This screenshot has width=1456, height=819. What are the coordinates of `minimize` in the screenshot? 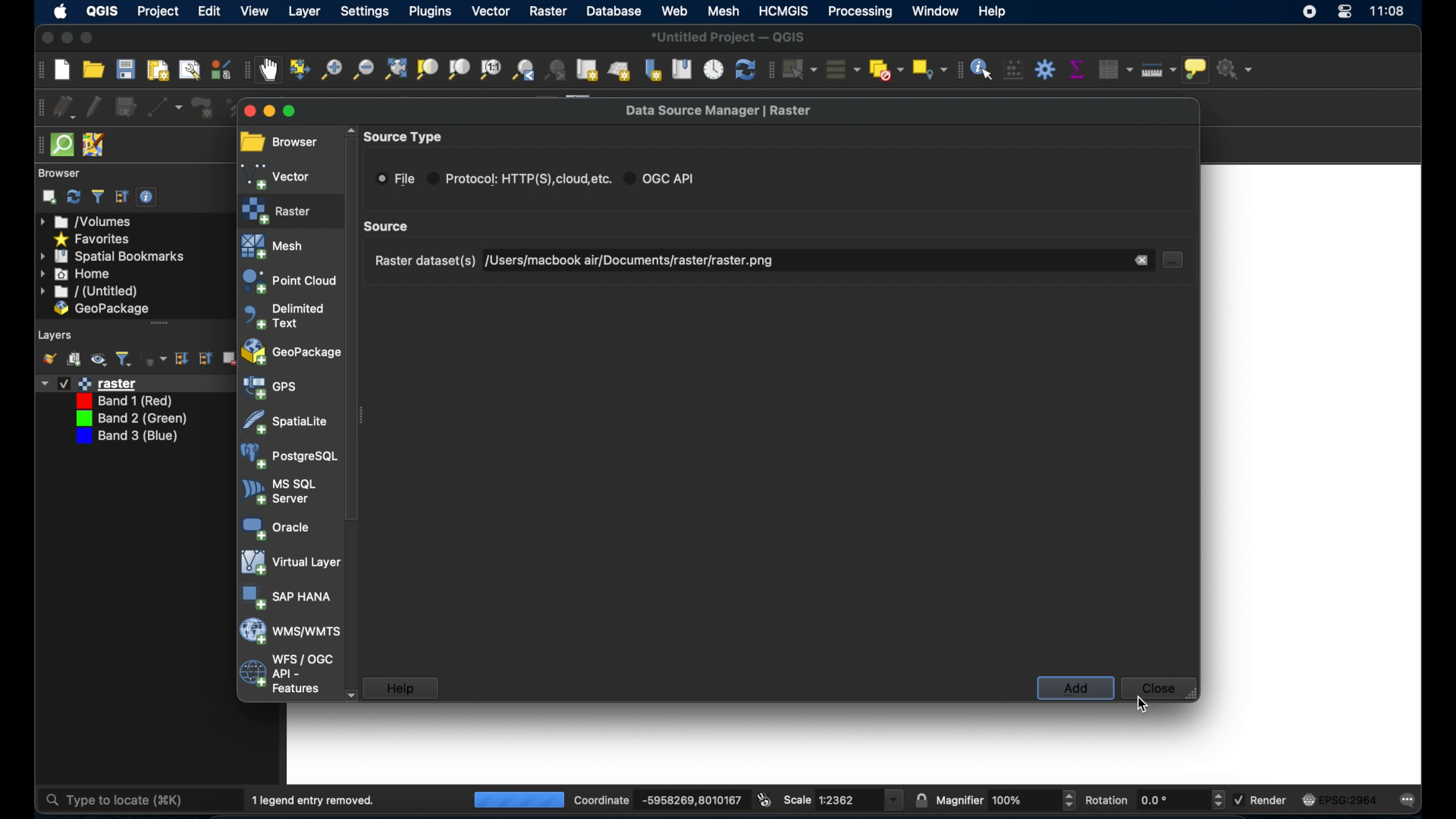 It's located at (267, 109).